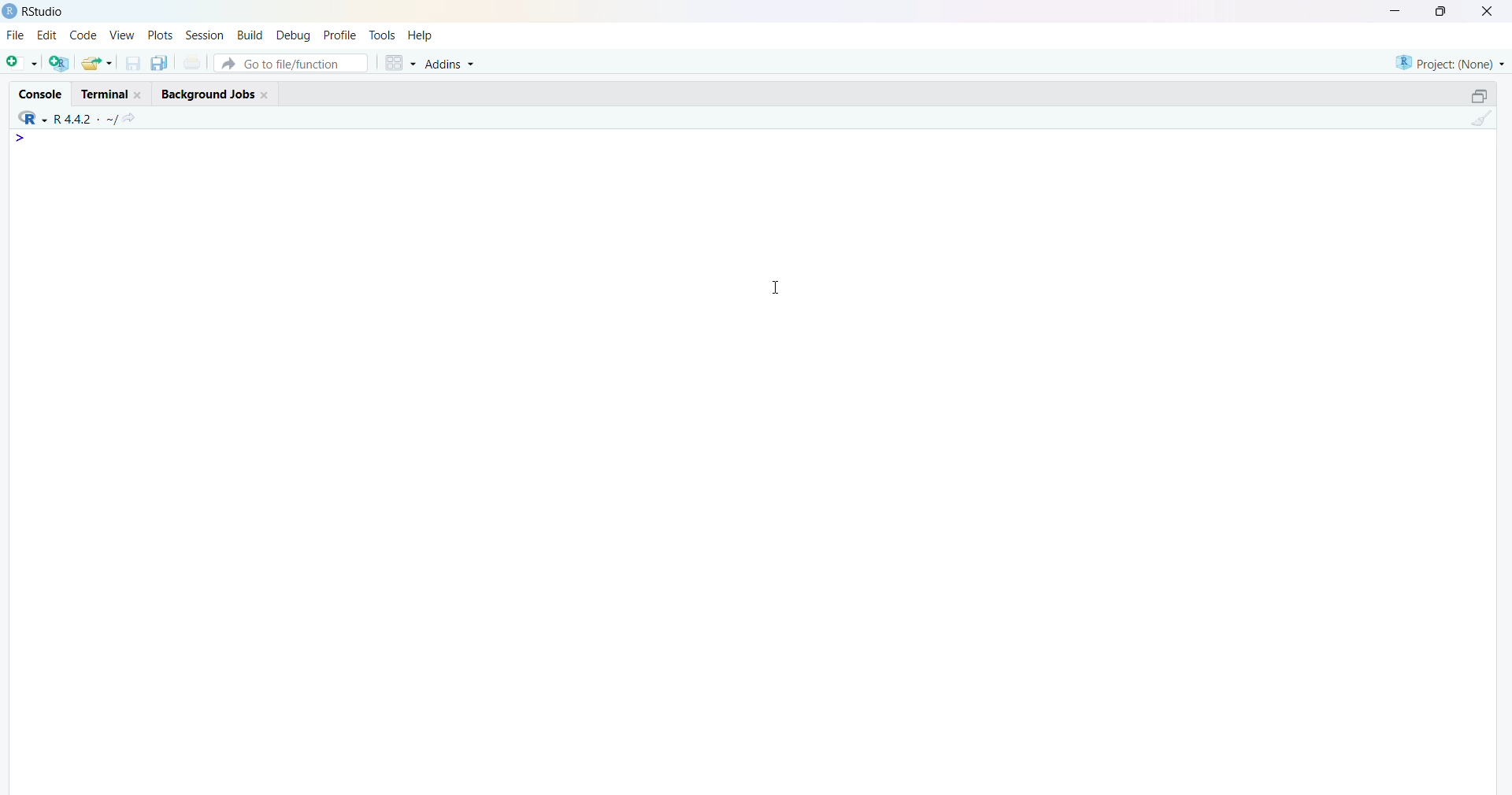 The height and width of the screenshot is (795, 1512). I want to click on debug, so click(295, 35).